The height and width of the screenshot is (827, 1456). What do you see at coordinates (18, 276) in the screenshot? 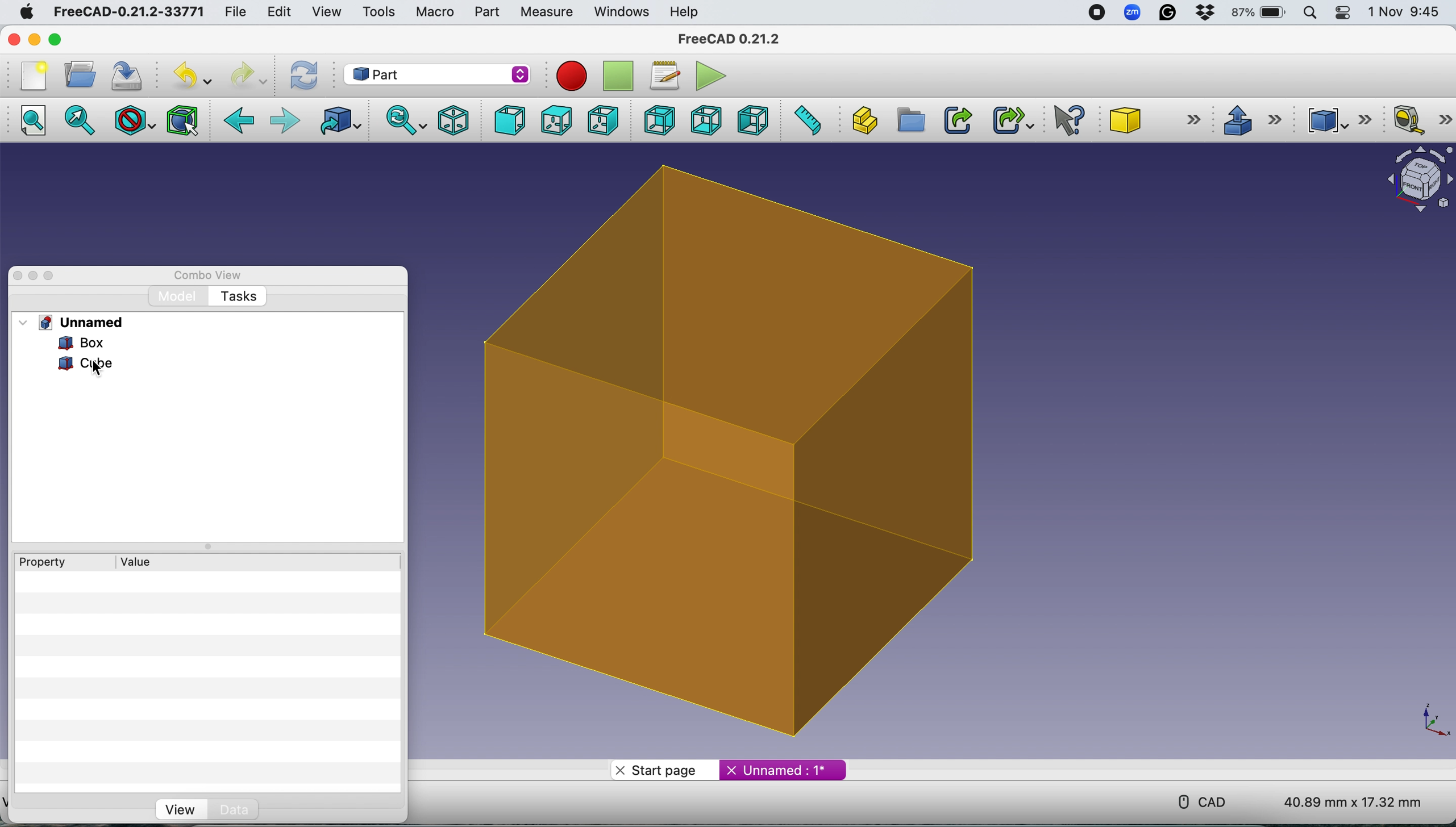
I see `Close` at bounding box center [18, 276].